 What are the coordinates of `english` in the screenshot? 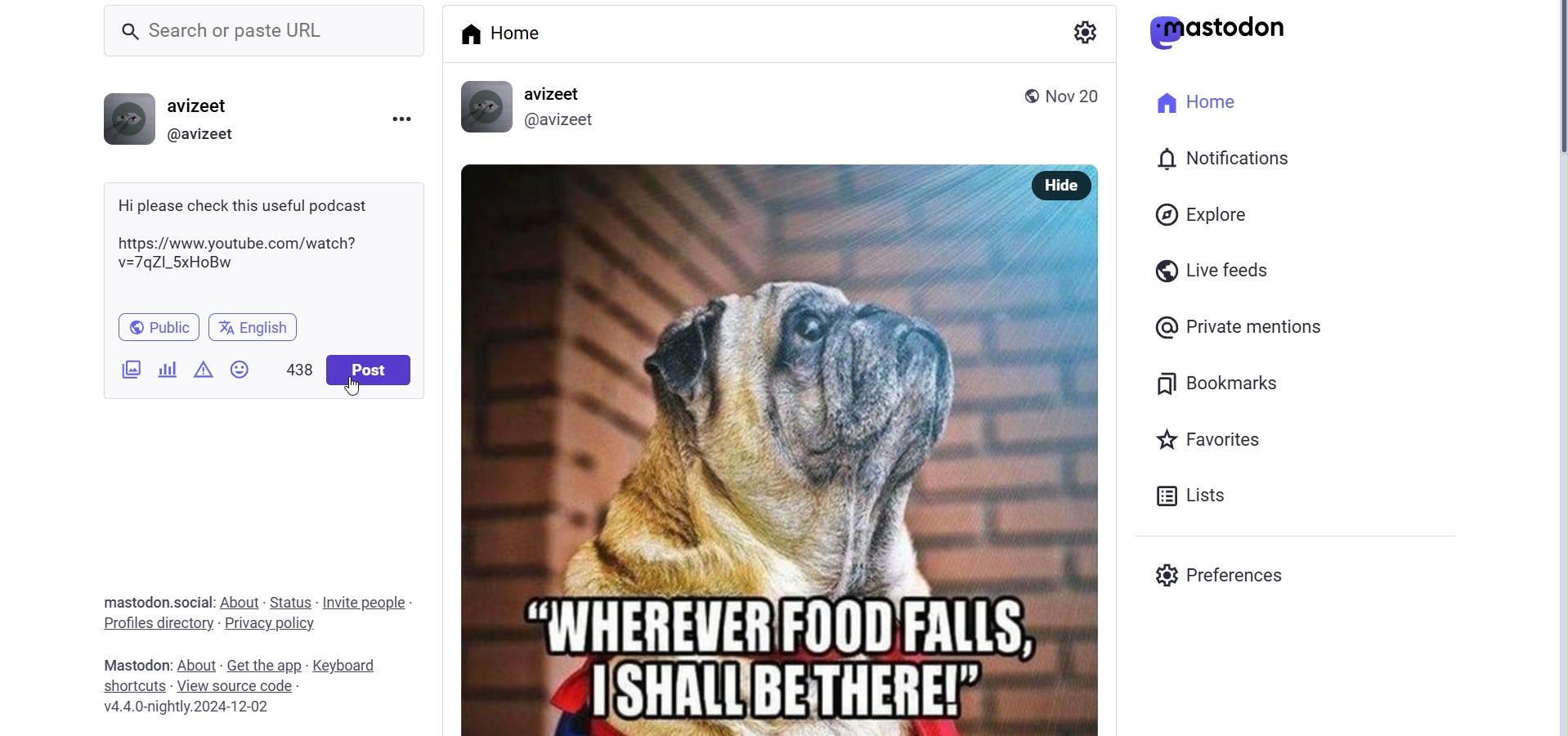 It's located at (258, 327).